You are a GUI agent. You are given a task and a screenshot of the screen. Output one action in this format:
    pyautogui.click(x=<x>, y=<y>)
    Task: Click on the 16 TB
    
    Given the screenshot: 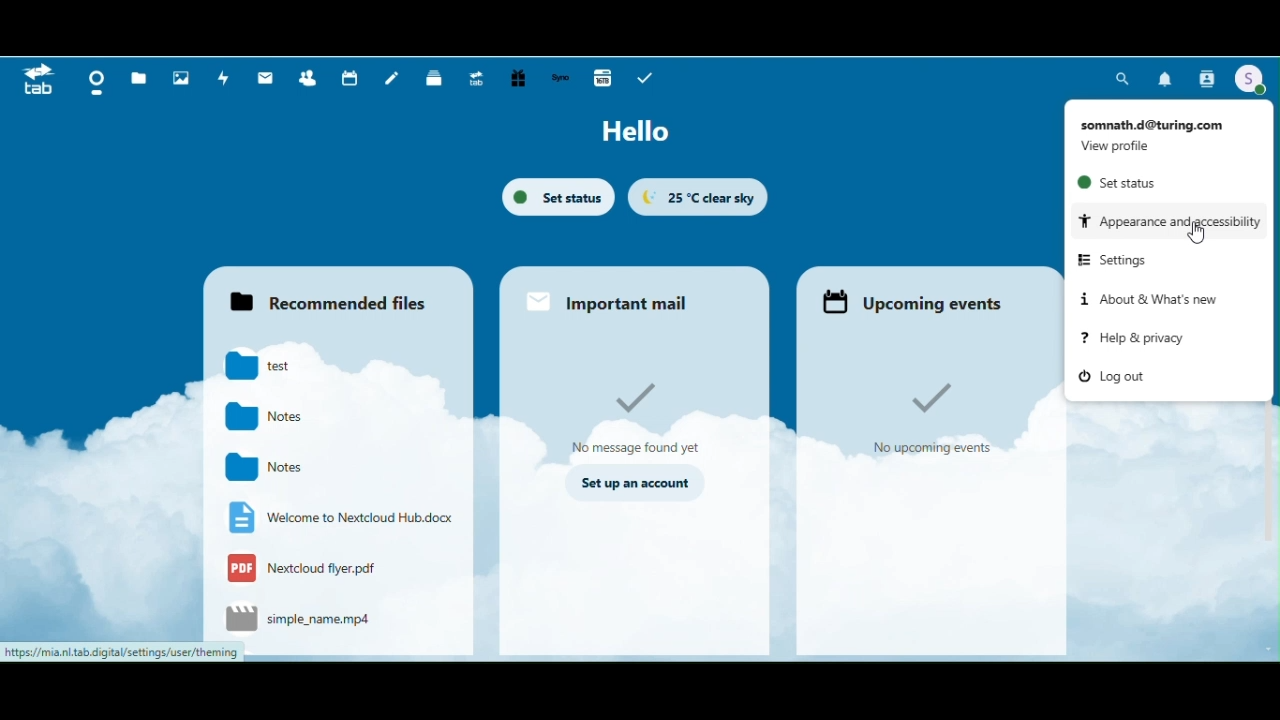 What is the action you would take?
    pyautogui.click(x=602, y=80)
    